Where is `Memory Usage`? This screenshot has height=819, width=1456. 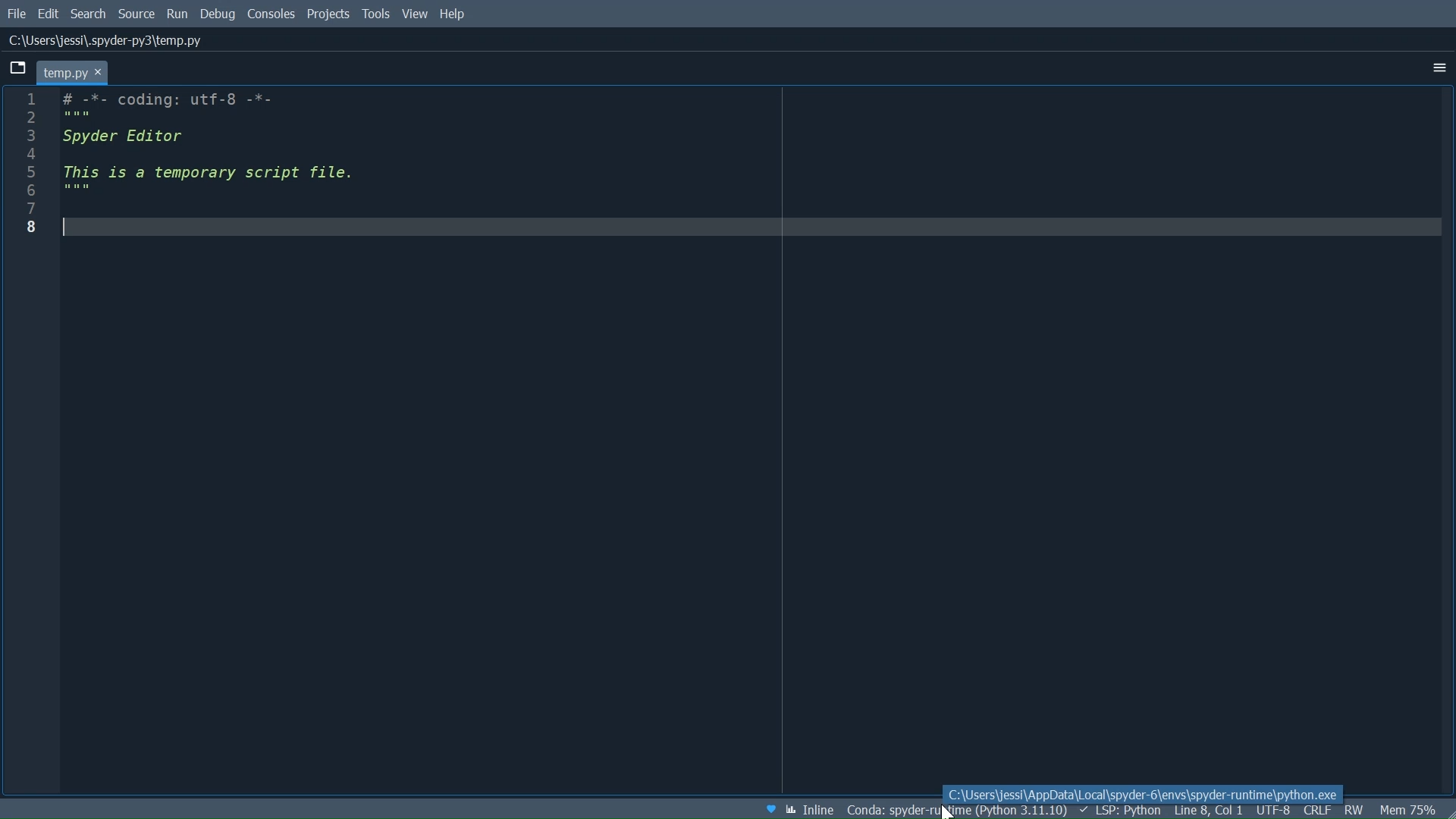 Memory Usage is located at coordinates (1409, 810).